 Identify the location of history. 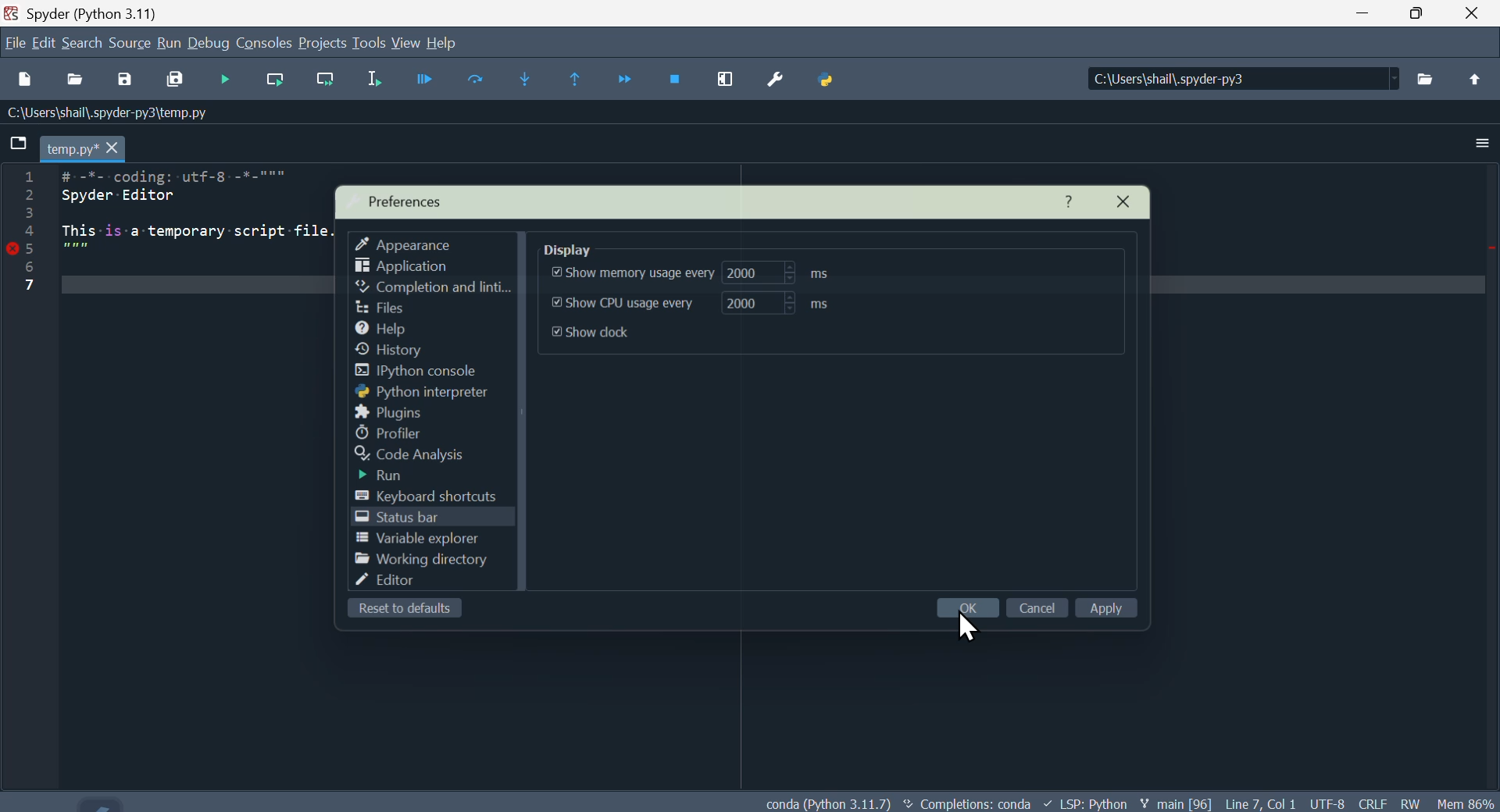
(400, 350).